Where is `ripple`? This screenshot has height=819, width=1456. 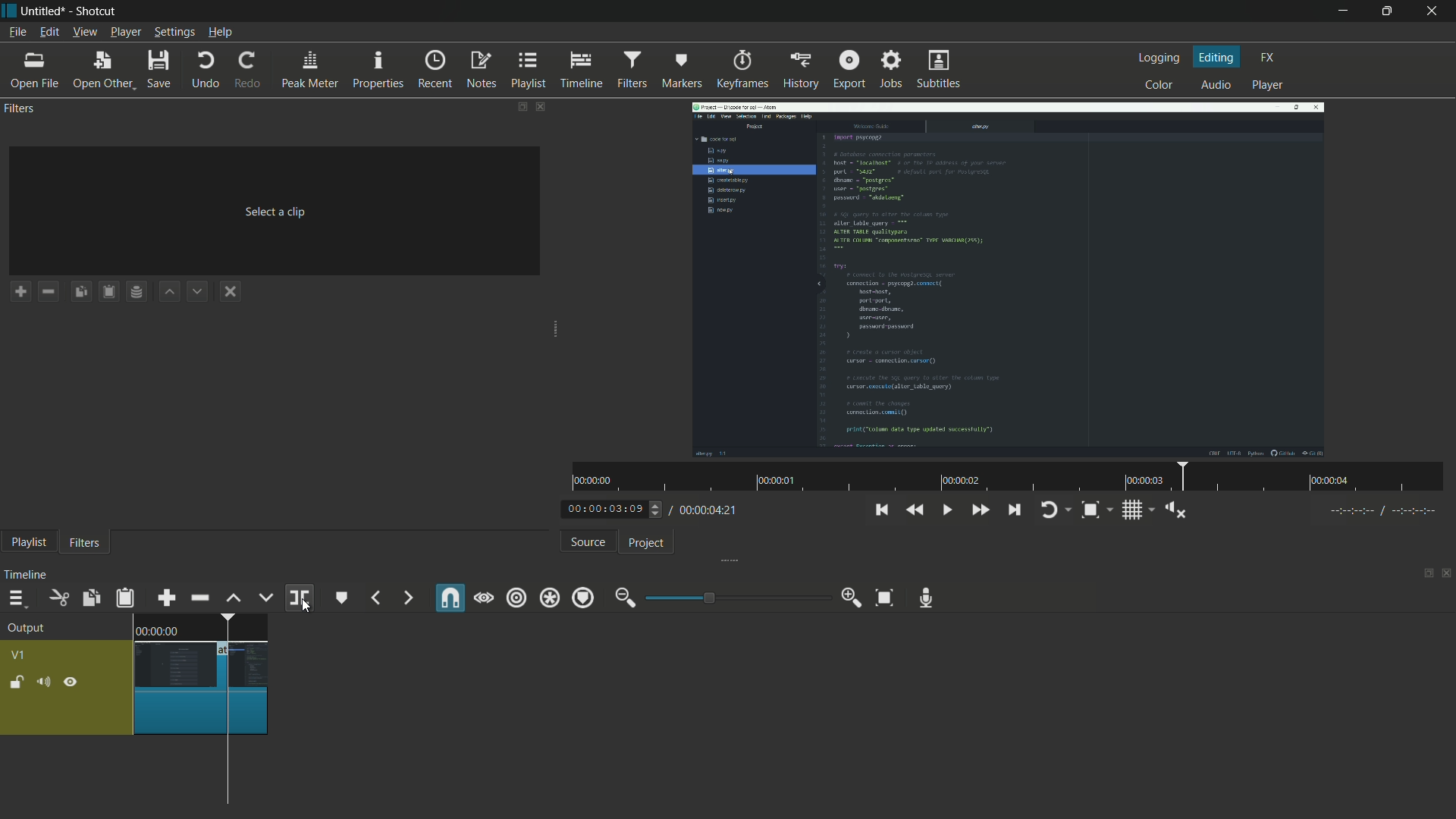
ripple is located at coordinates (515, 598).